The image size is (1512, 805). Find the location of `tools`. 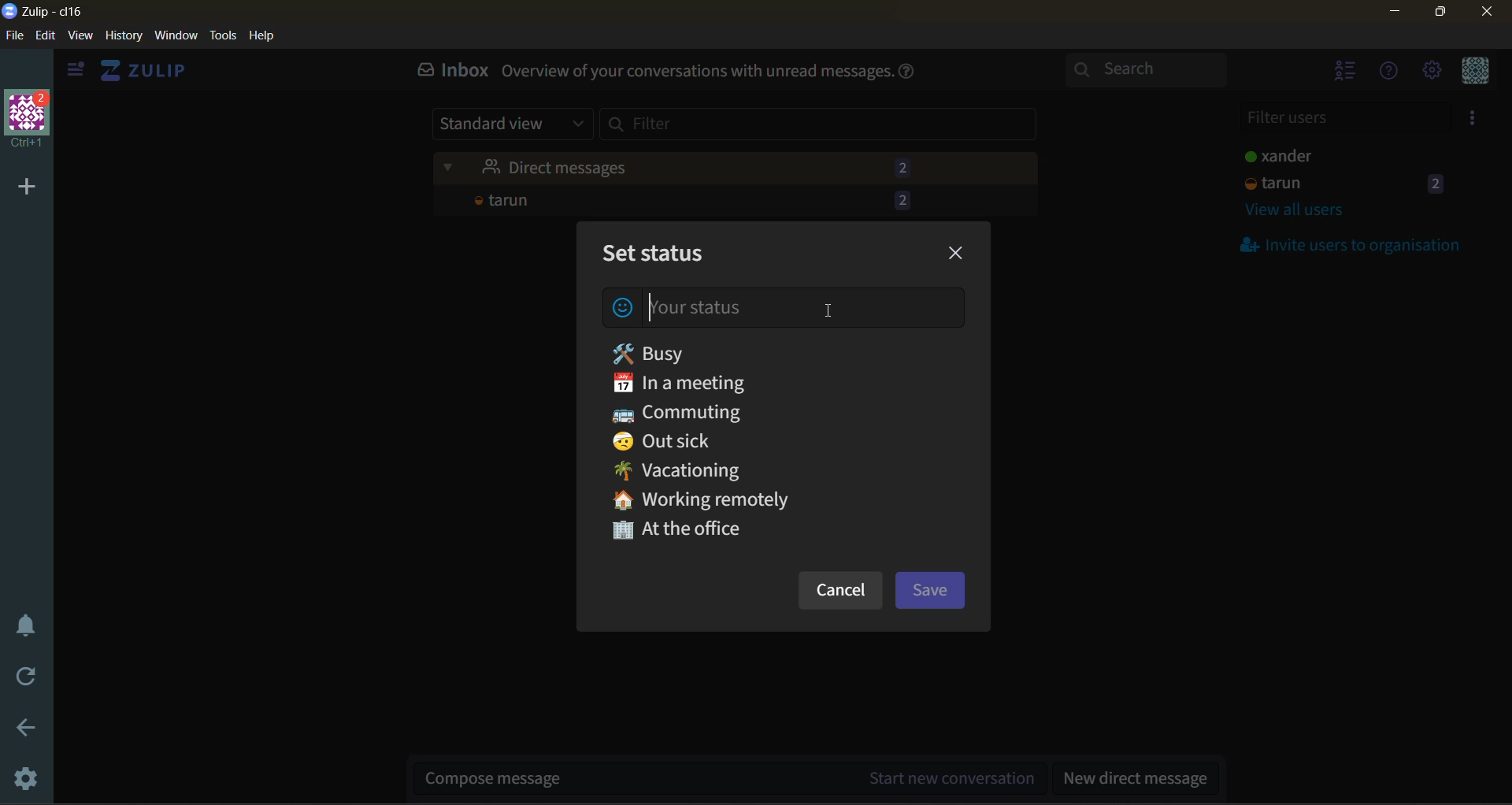

tools is located at coordinates (225, 35).